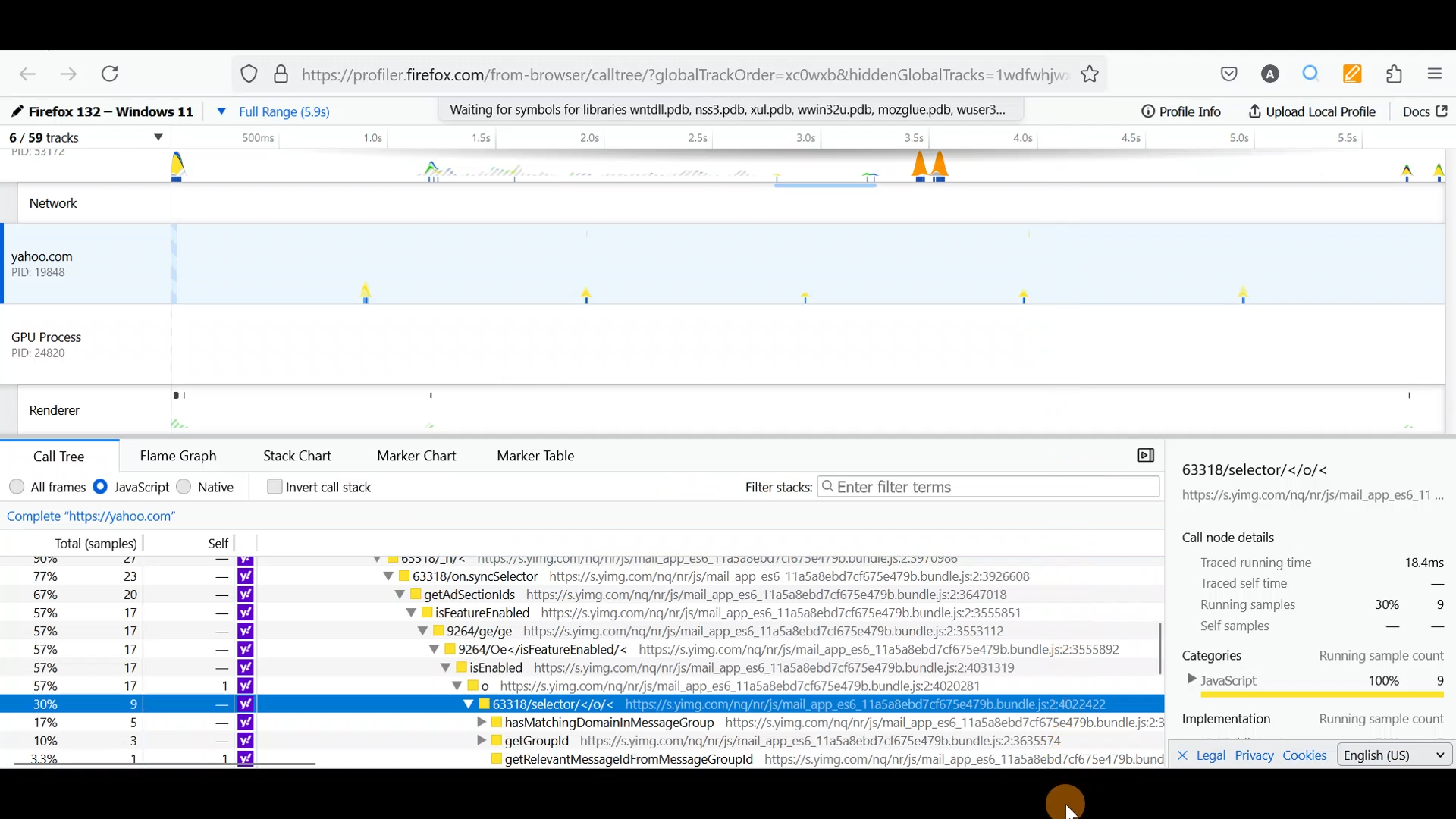  I want to click on Bookmark 4, so click(736, 113).